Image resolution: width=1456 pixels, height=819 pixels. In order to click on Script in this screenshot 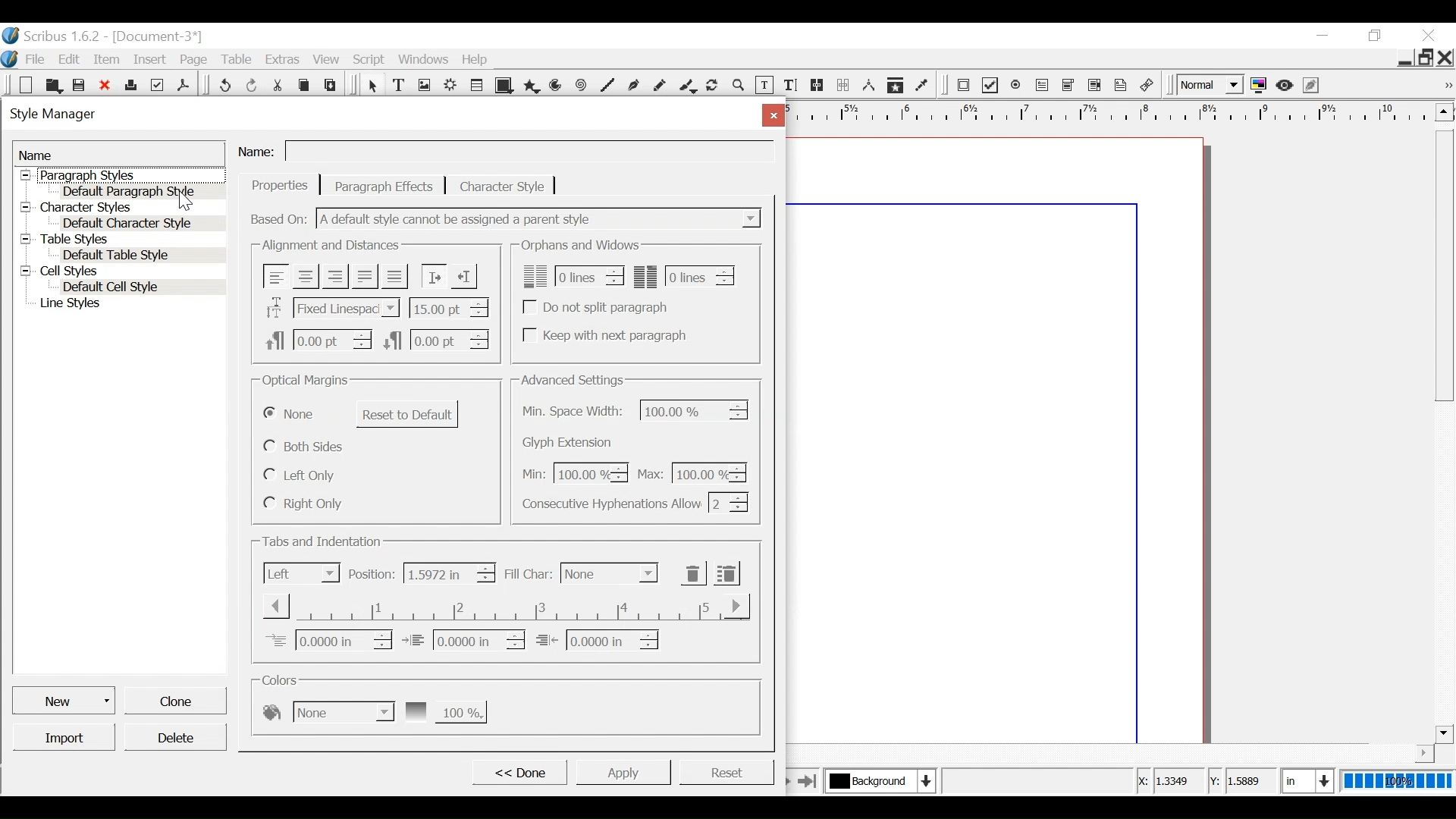, I will do `click(371, 60)`.